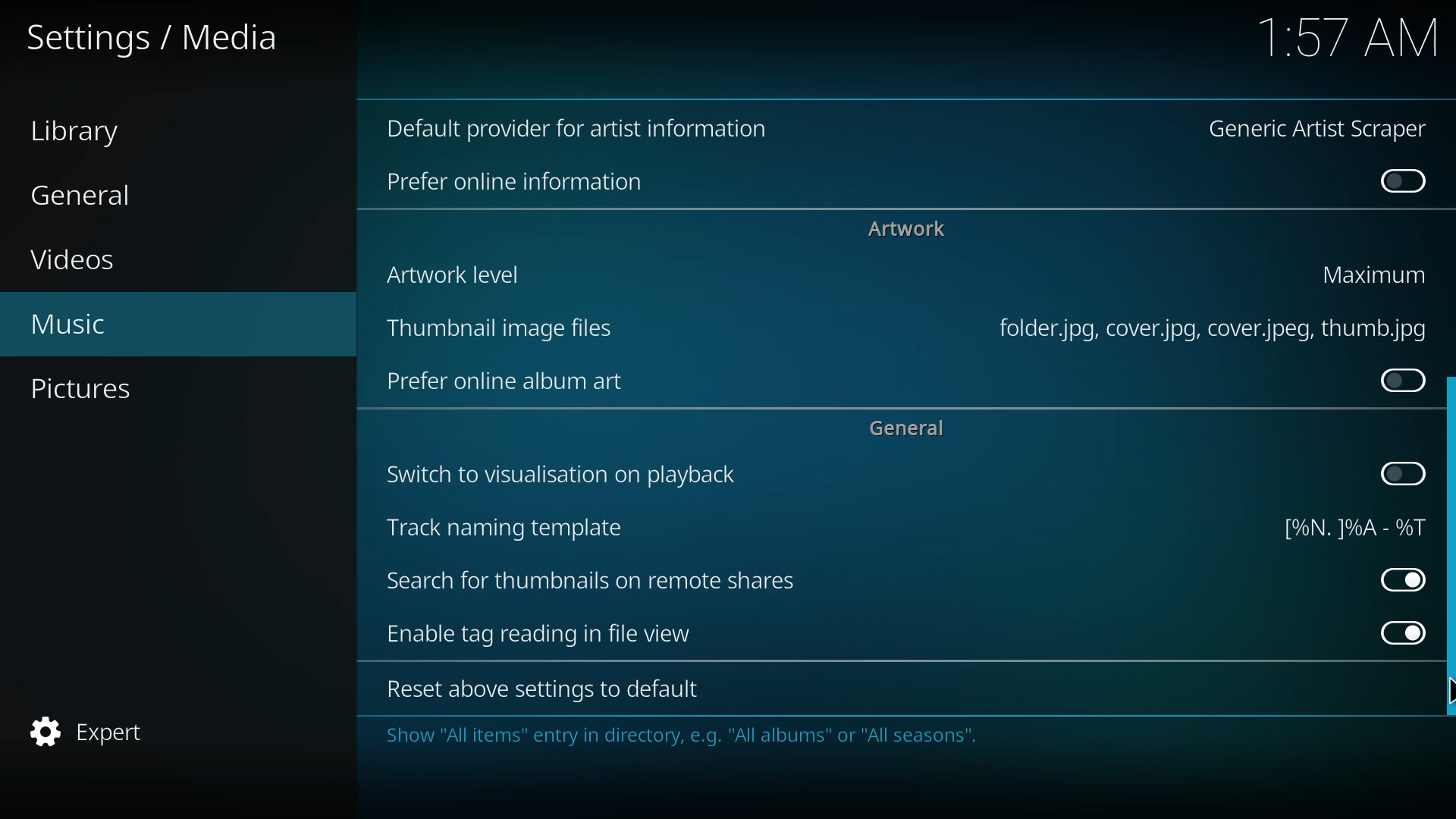 The height and width of the screenshot is (819, 1456). I want to click on general, so click(83, 196).